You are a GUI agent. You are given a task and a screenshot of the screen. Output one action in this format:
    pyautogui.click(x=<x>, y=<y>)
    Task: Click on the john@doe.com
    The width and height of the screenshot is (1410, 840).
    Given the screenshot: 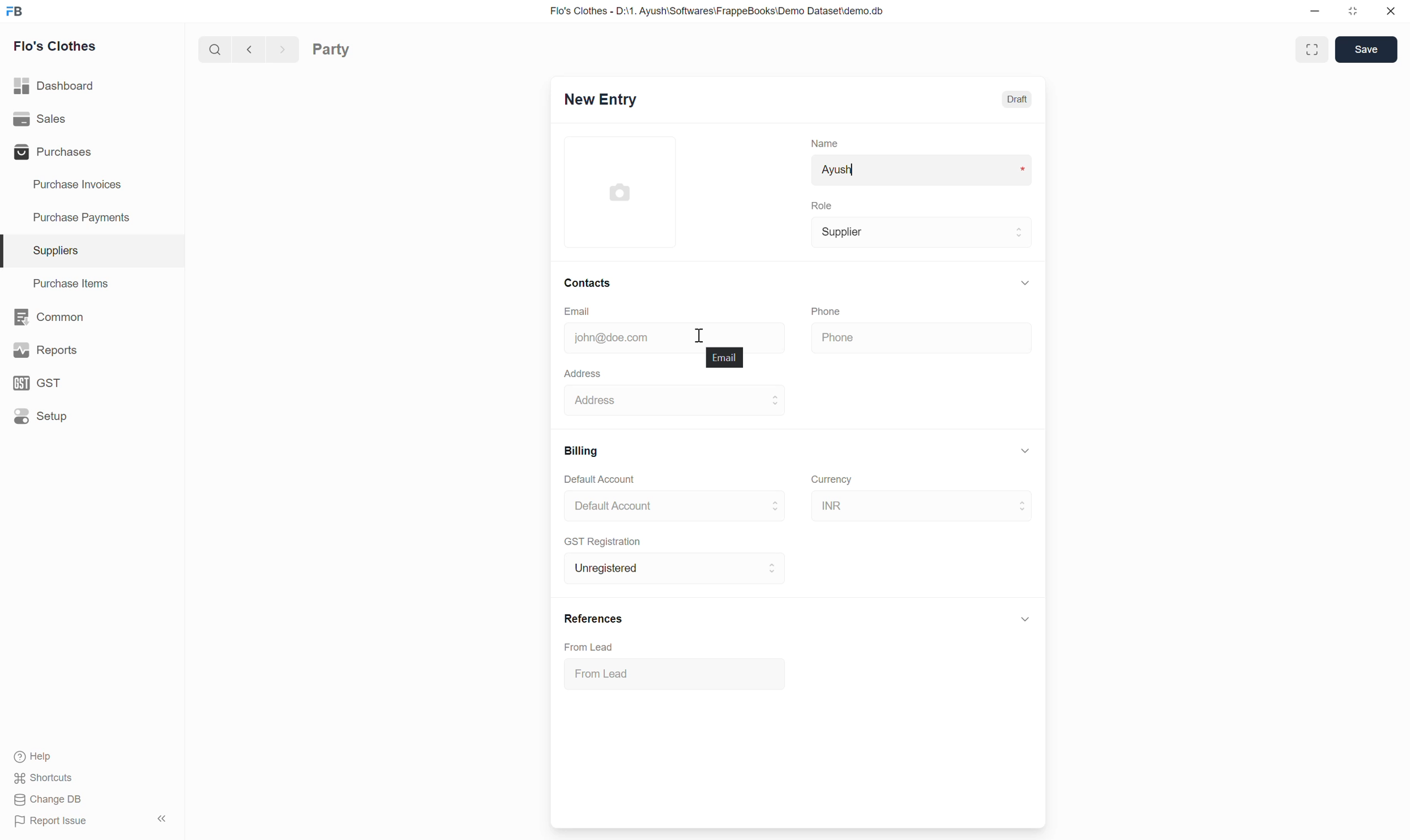 What is the action you would take?
    pyautogui.click(x=627, y=338)
    